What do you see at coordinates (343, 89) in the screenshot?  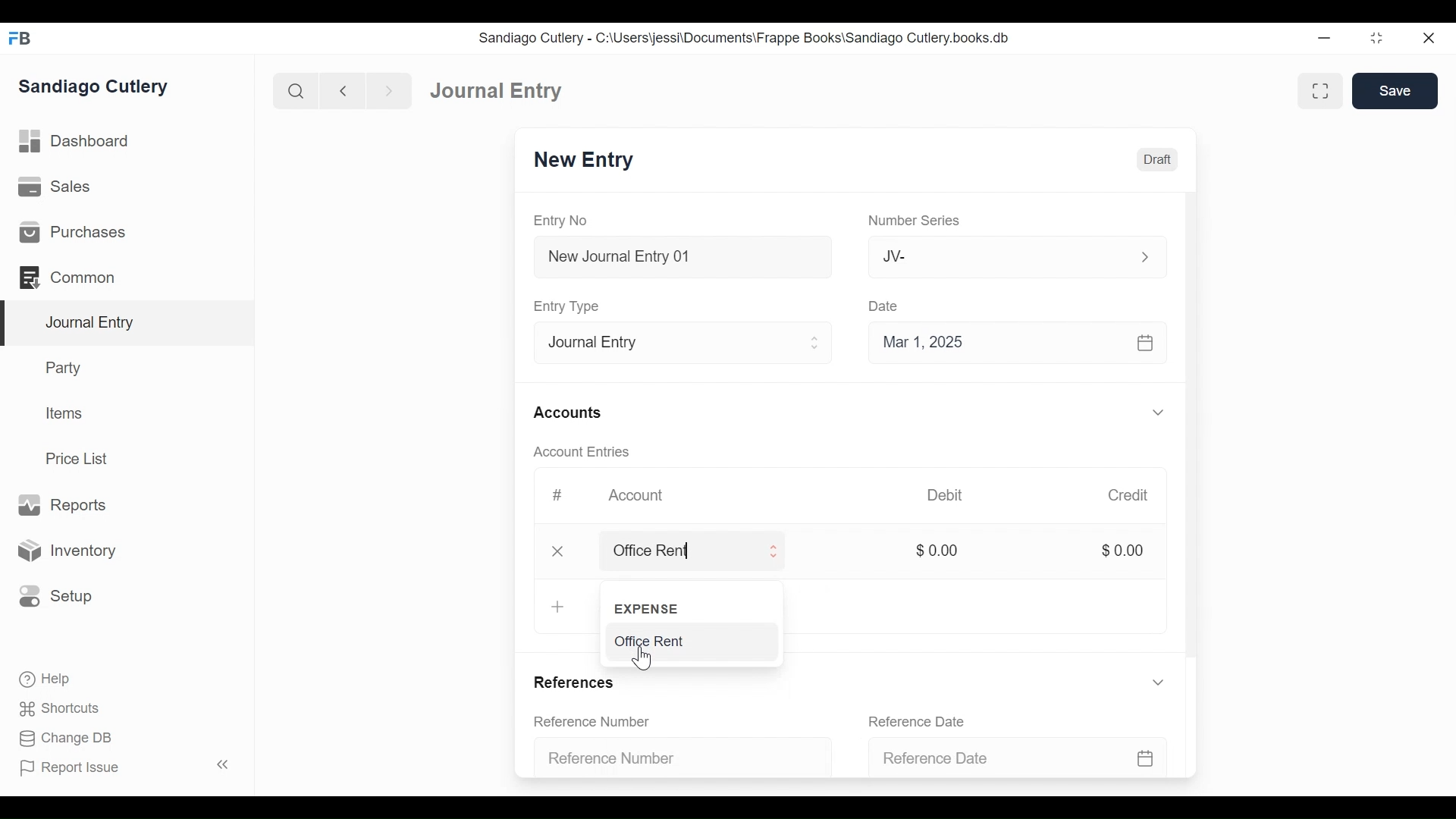 I see `back` at bounding box center [343, 89].